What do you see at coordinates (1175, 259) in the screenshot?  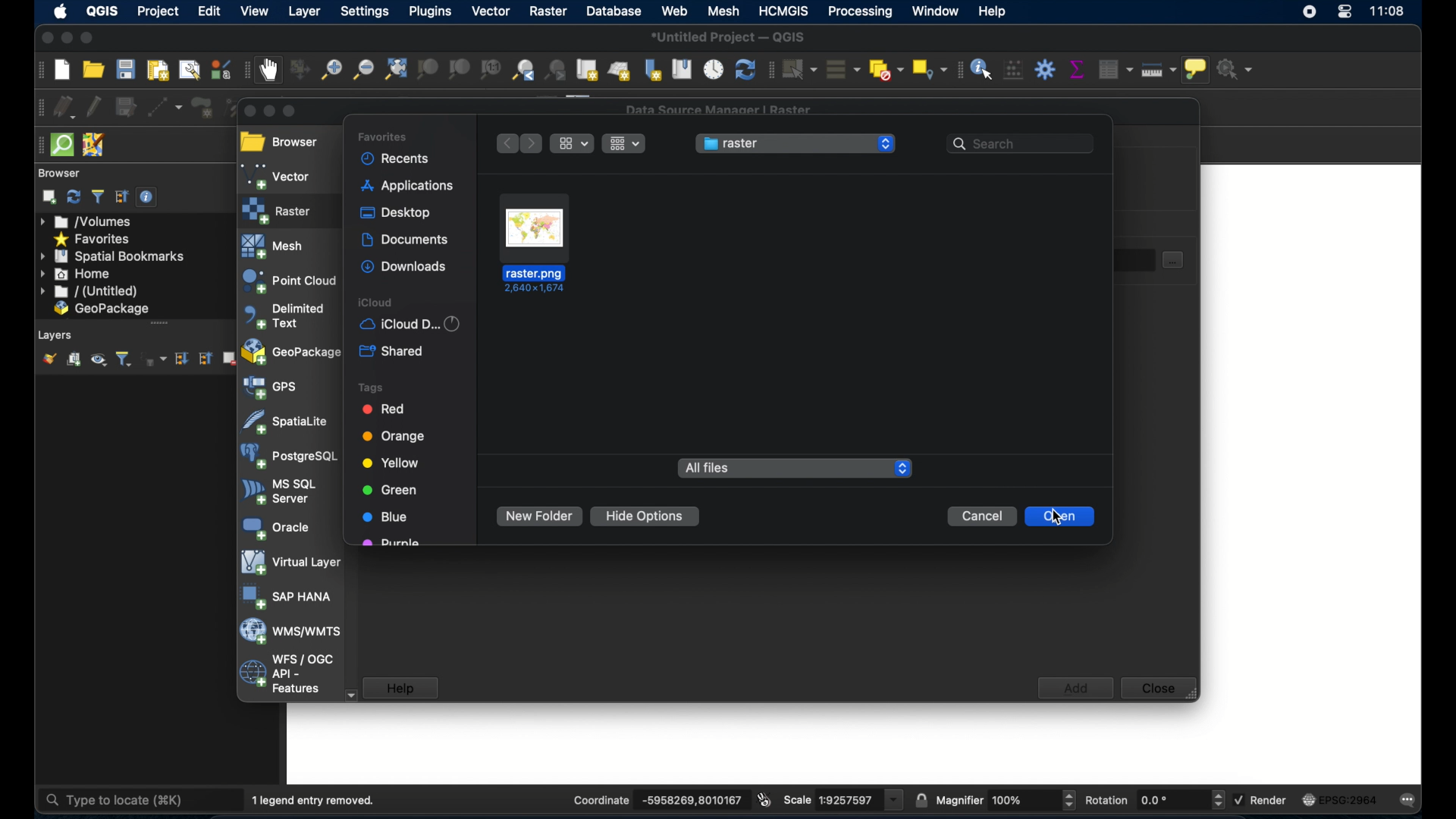 I see `document select button` at bounding box center [1175, 259].